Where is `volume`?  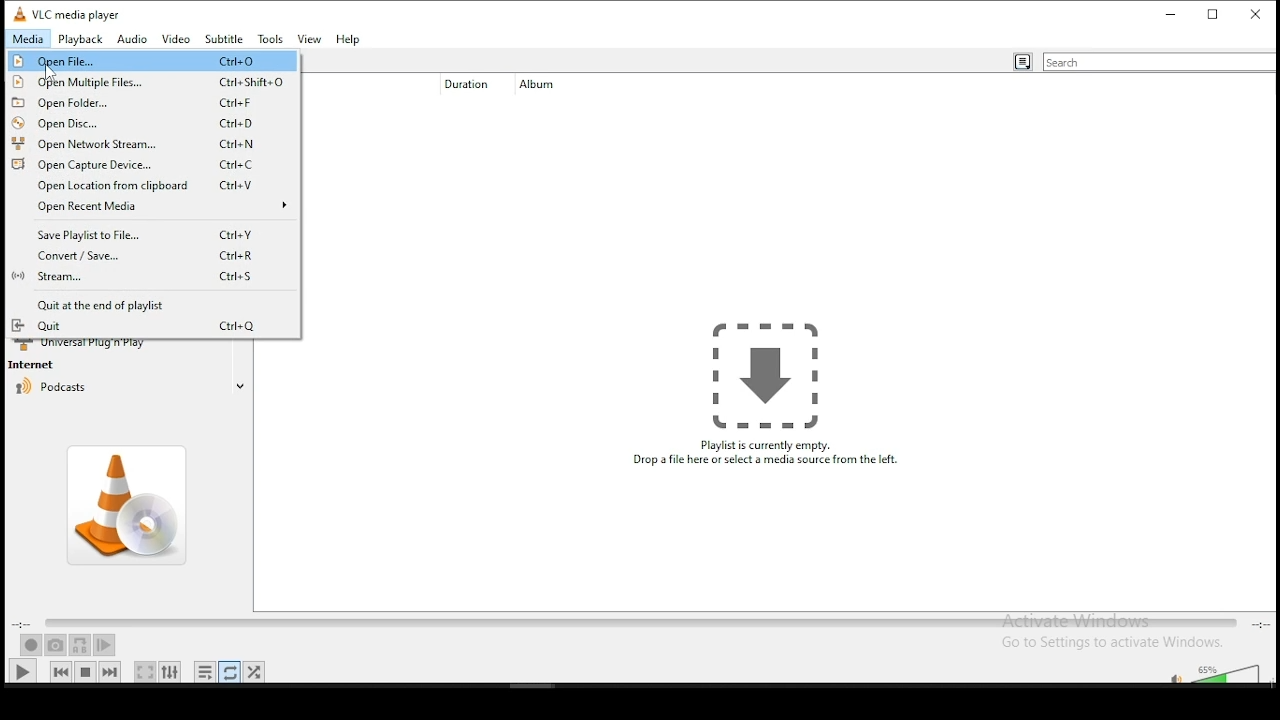 volume is located at coordinates (1230, 673).